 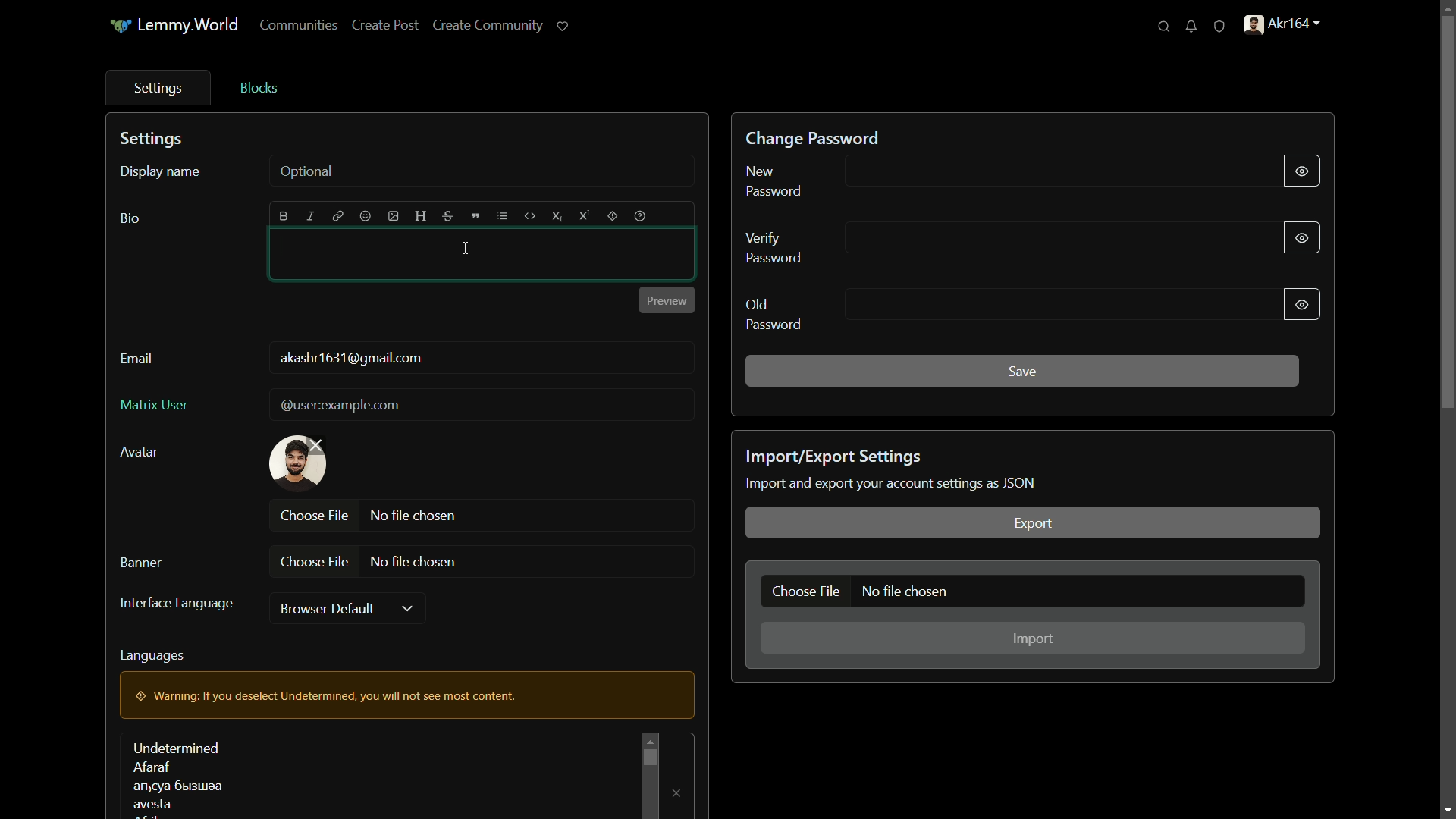 What do you see at coordinates (585, 216) in the screenshot?
I see `superscript` at bounding box center [585, 216].